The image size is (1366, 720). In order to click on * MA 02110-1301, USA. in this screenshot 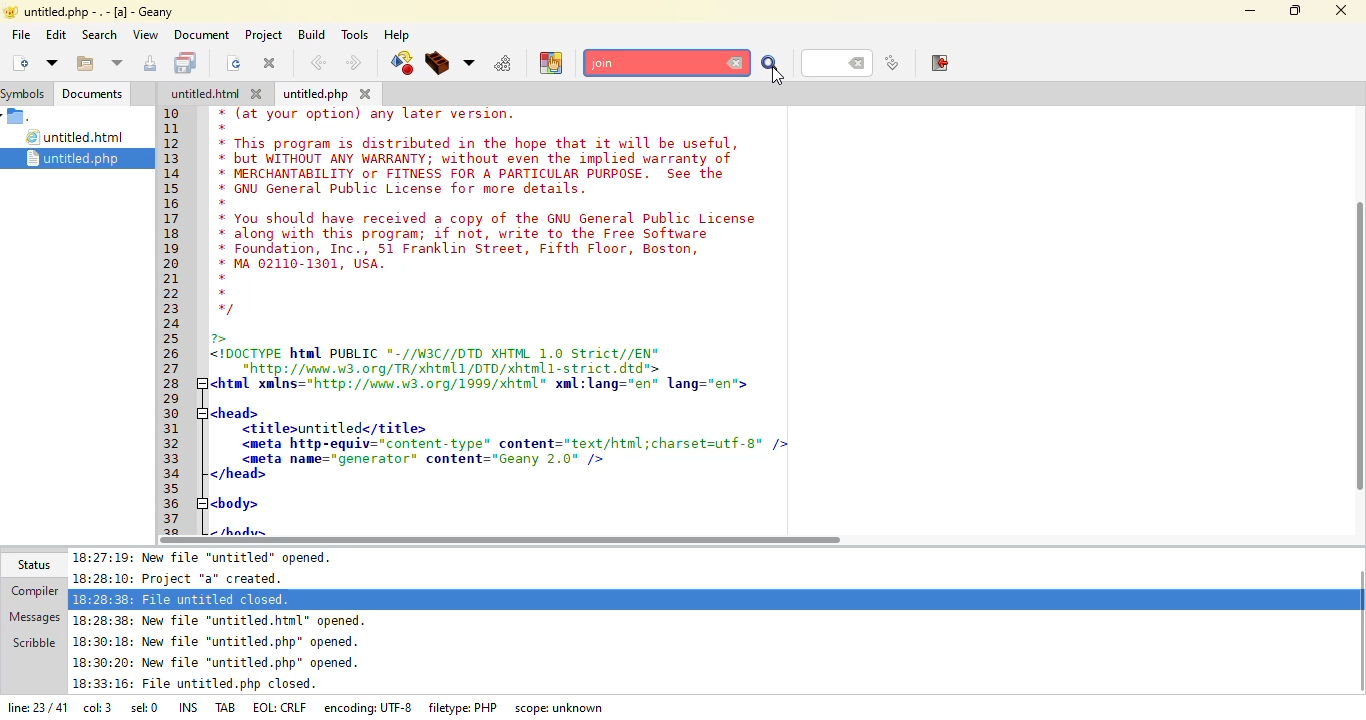, I will do `click(300, 264)`.